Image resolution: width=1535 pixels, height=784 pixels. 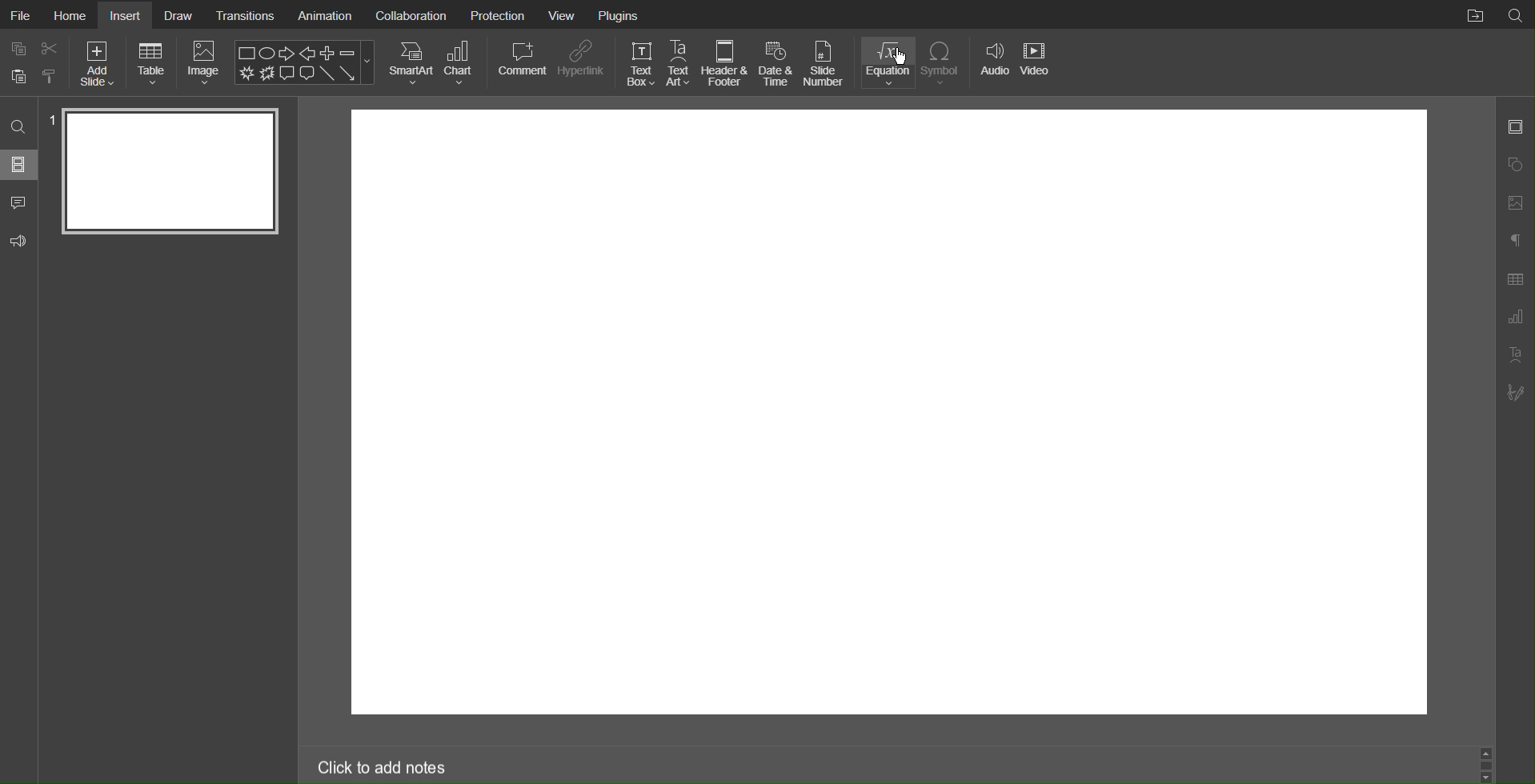 What do you see at coordinates (679, 62) in the screenshot?
I see `Text Art` at bounding box center [679, 62].